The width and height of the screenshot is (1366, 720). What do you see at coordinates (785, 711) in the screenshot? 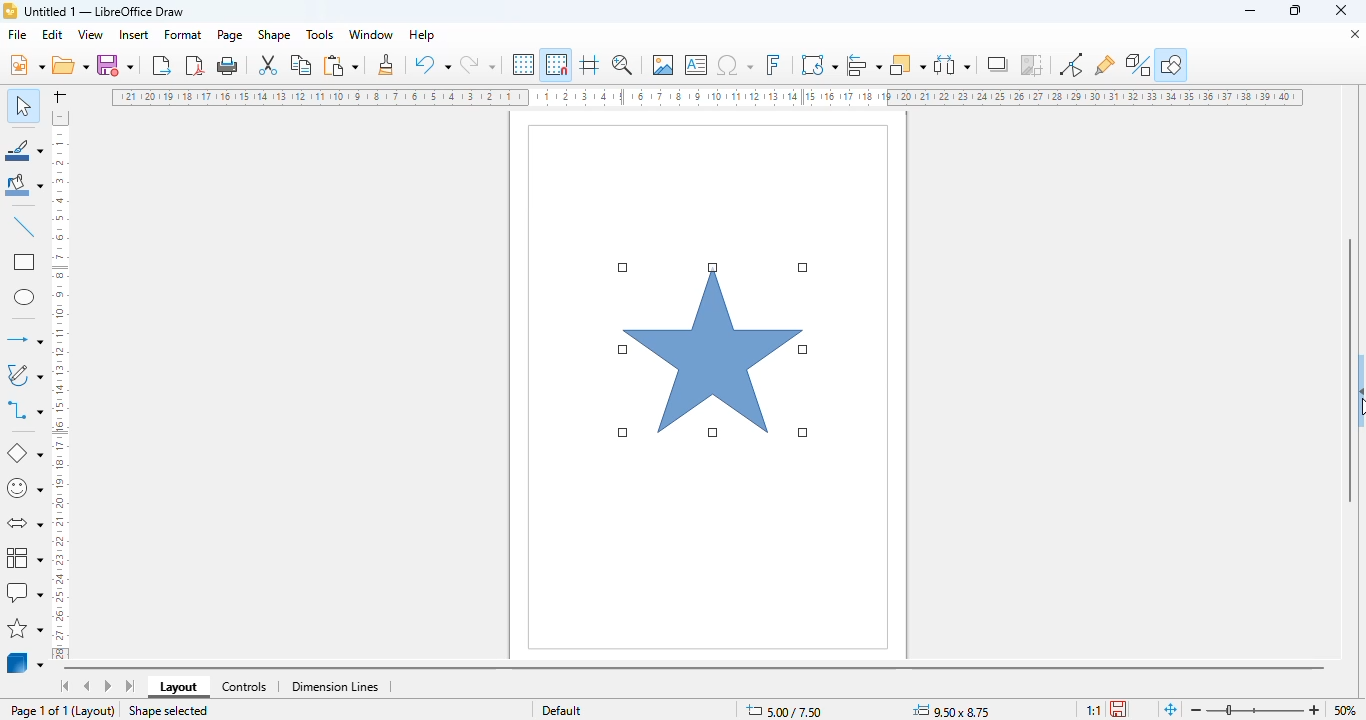
I see `change in X&Y coordinates` at bounding box center [785, 711].